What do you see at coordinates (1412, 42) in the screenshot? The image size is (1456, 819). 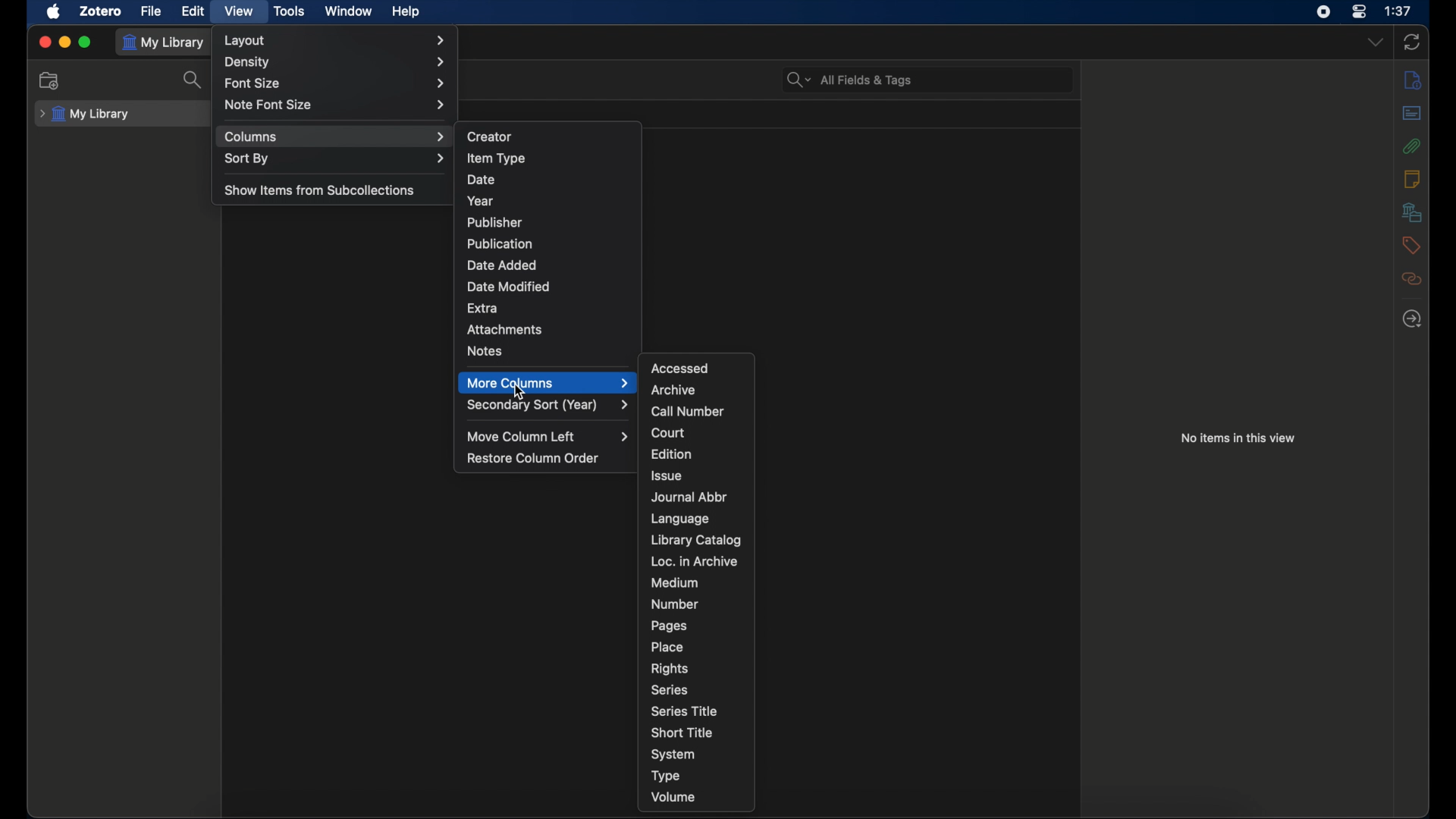 I see `sync` at bounding box center [1412, 42].